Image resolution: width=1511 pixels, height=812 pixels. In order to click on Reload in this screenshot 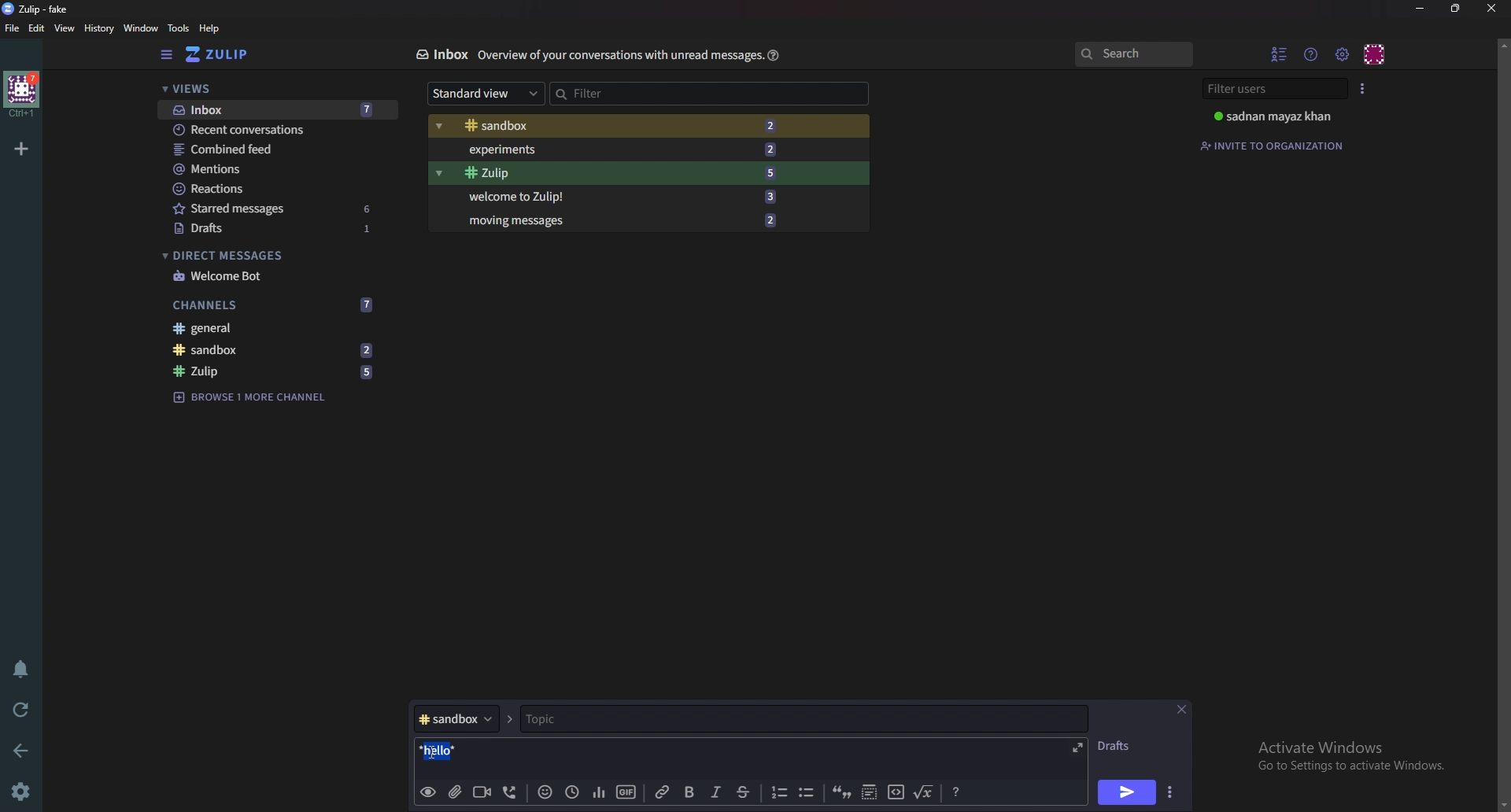, I will do `click(21, 710)`.